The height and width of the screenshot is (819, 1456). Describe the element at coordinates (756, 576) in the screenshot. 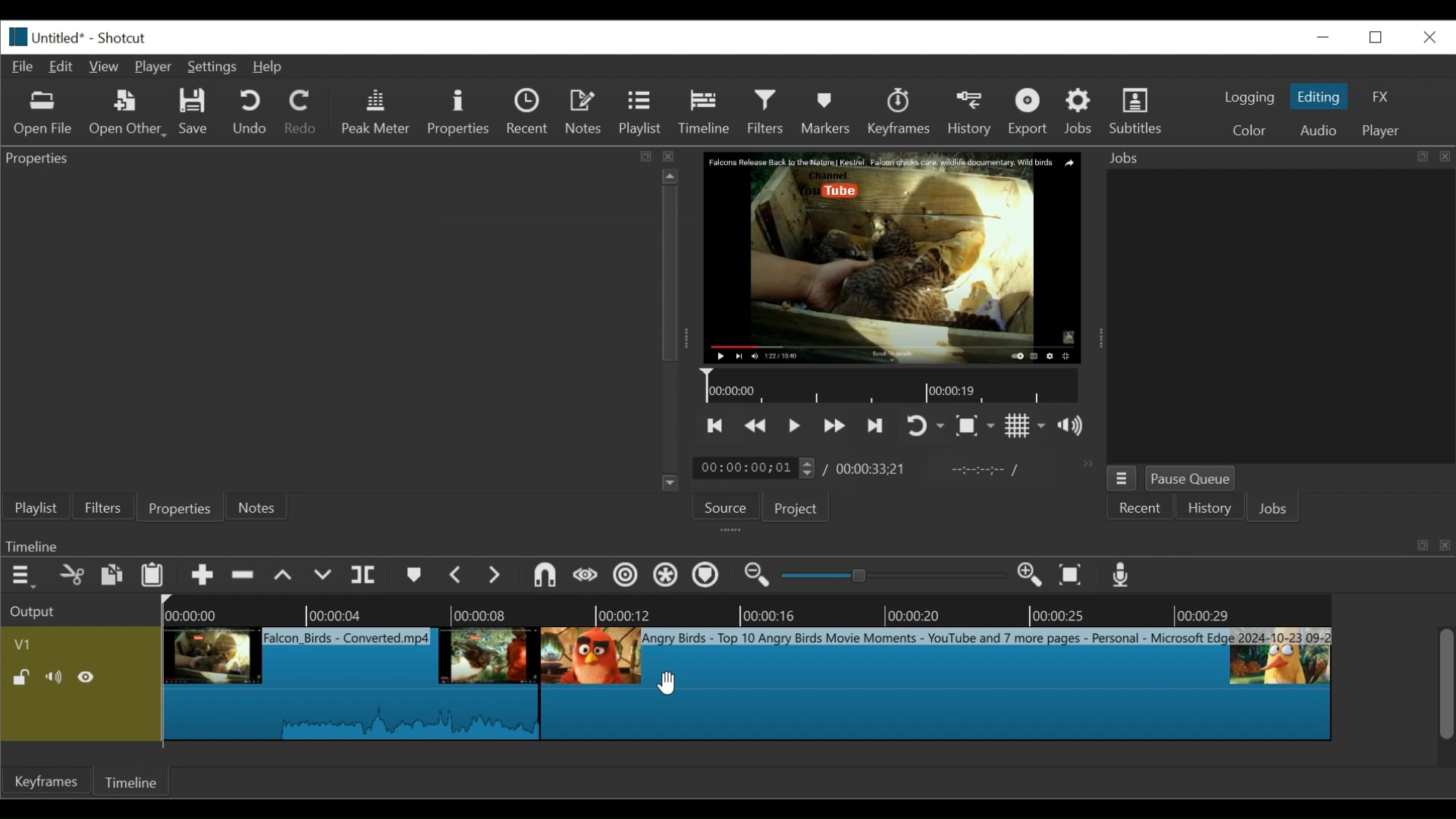

I see `Zoom Timeline out ` at that location.